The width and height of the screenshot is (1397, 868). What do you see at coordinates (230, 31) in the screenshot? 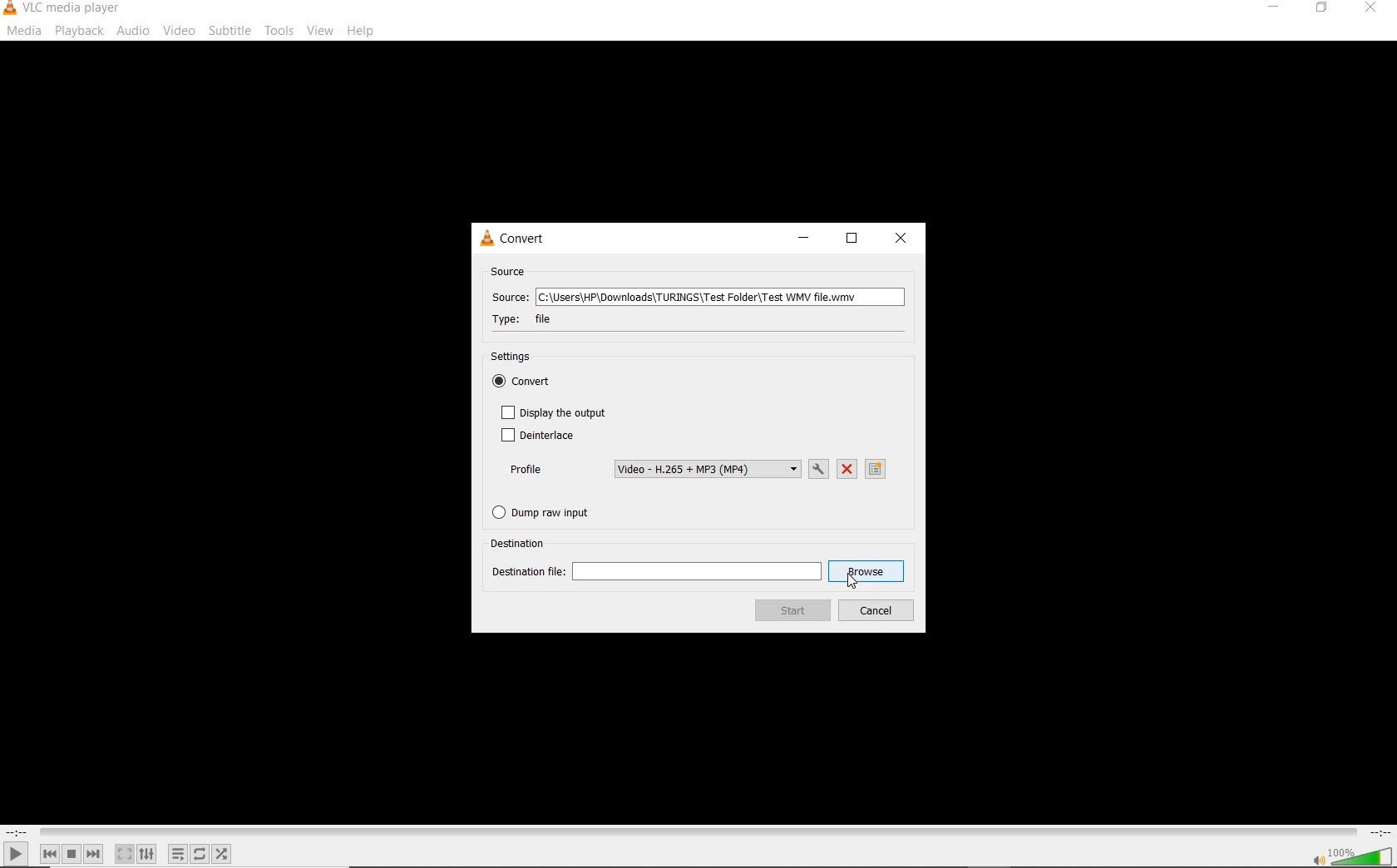
I see `subtitle` at bounding box center [230, 31].